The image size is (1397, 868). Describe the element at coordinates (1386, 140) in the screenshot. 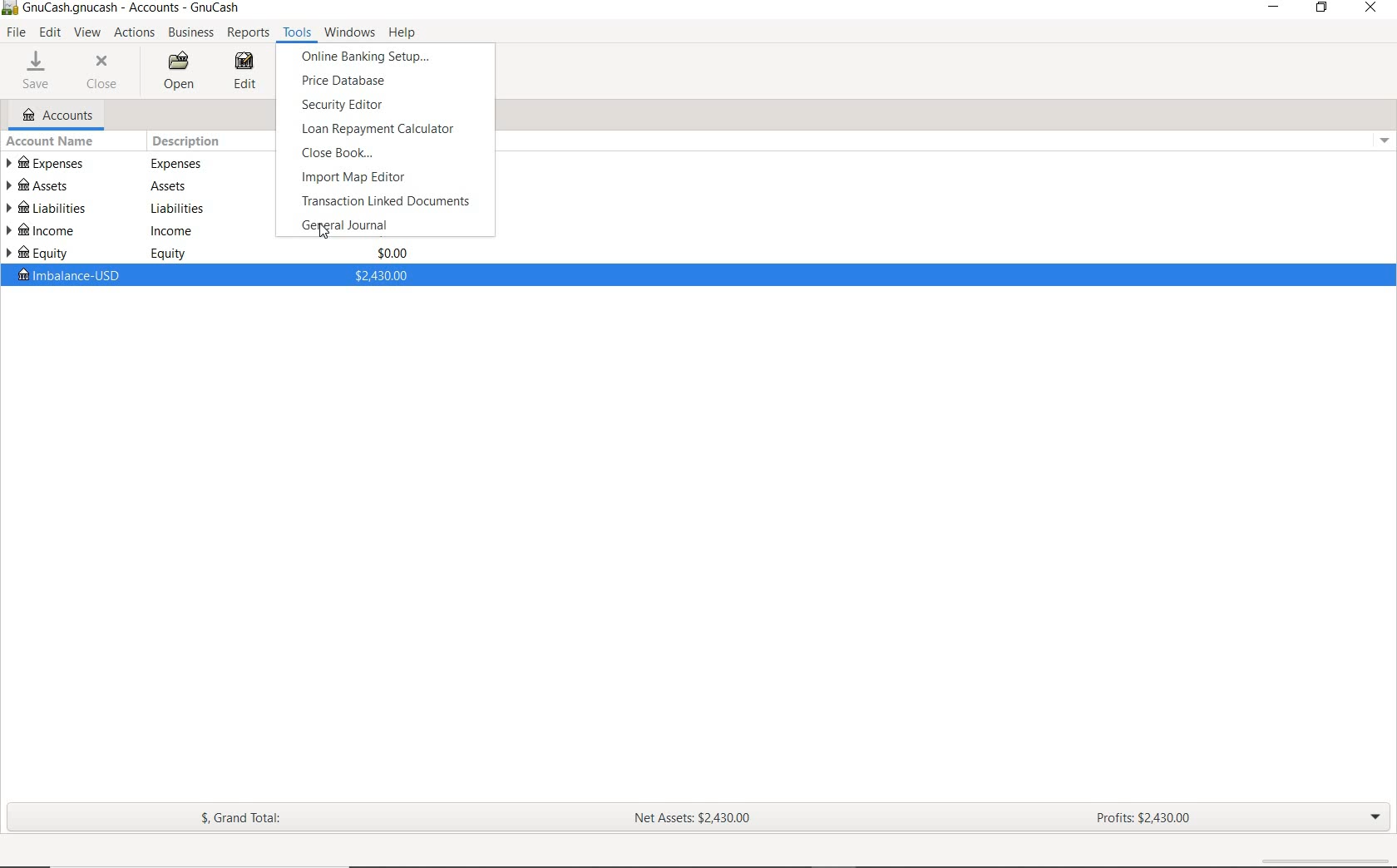

I see `Drop-down ` at that location.